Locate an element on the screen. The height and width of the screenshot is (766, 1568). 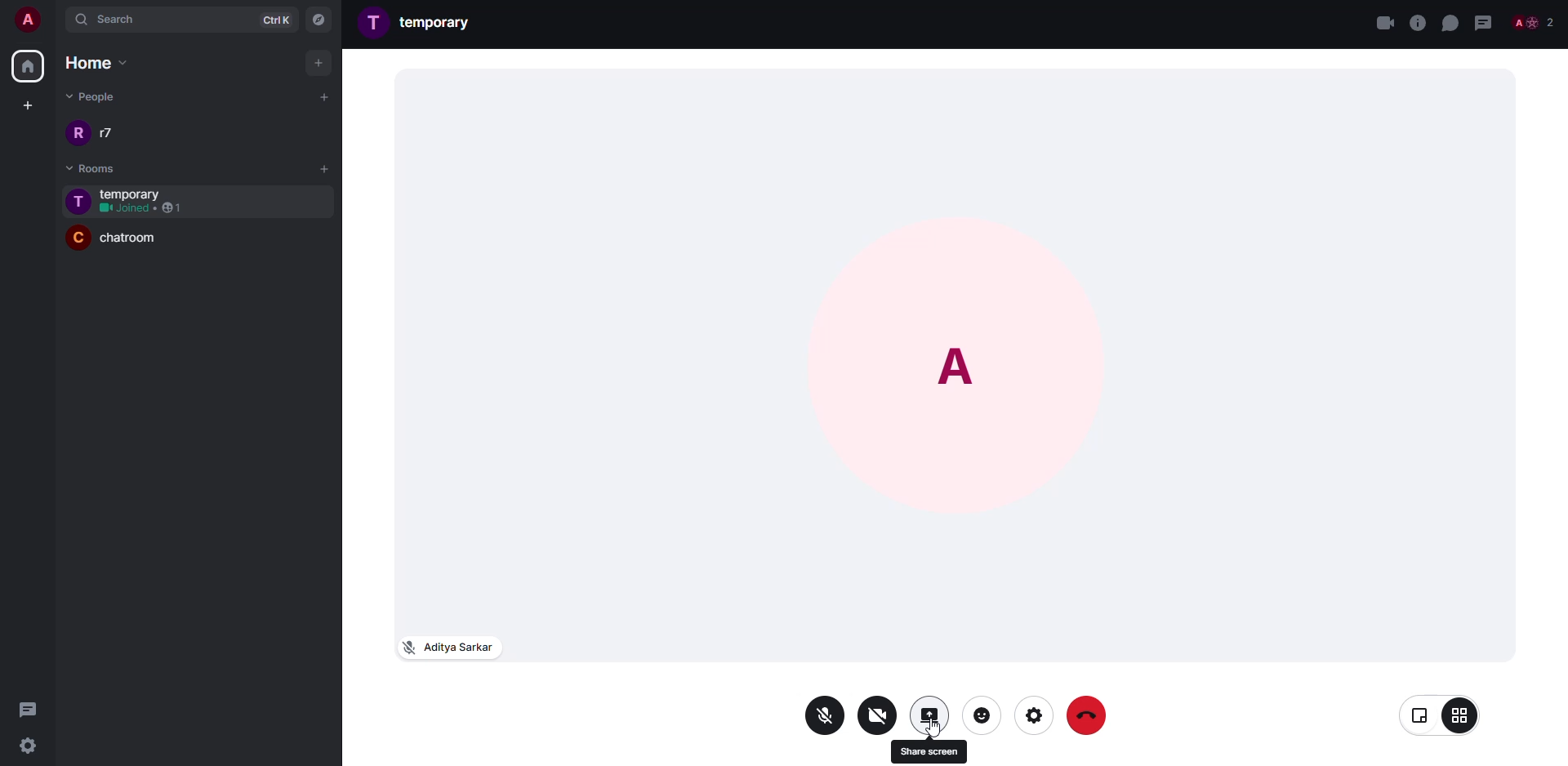
video off is located at coordinates (878, 714).